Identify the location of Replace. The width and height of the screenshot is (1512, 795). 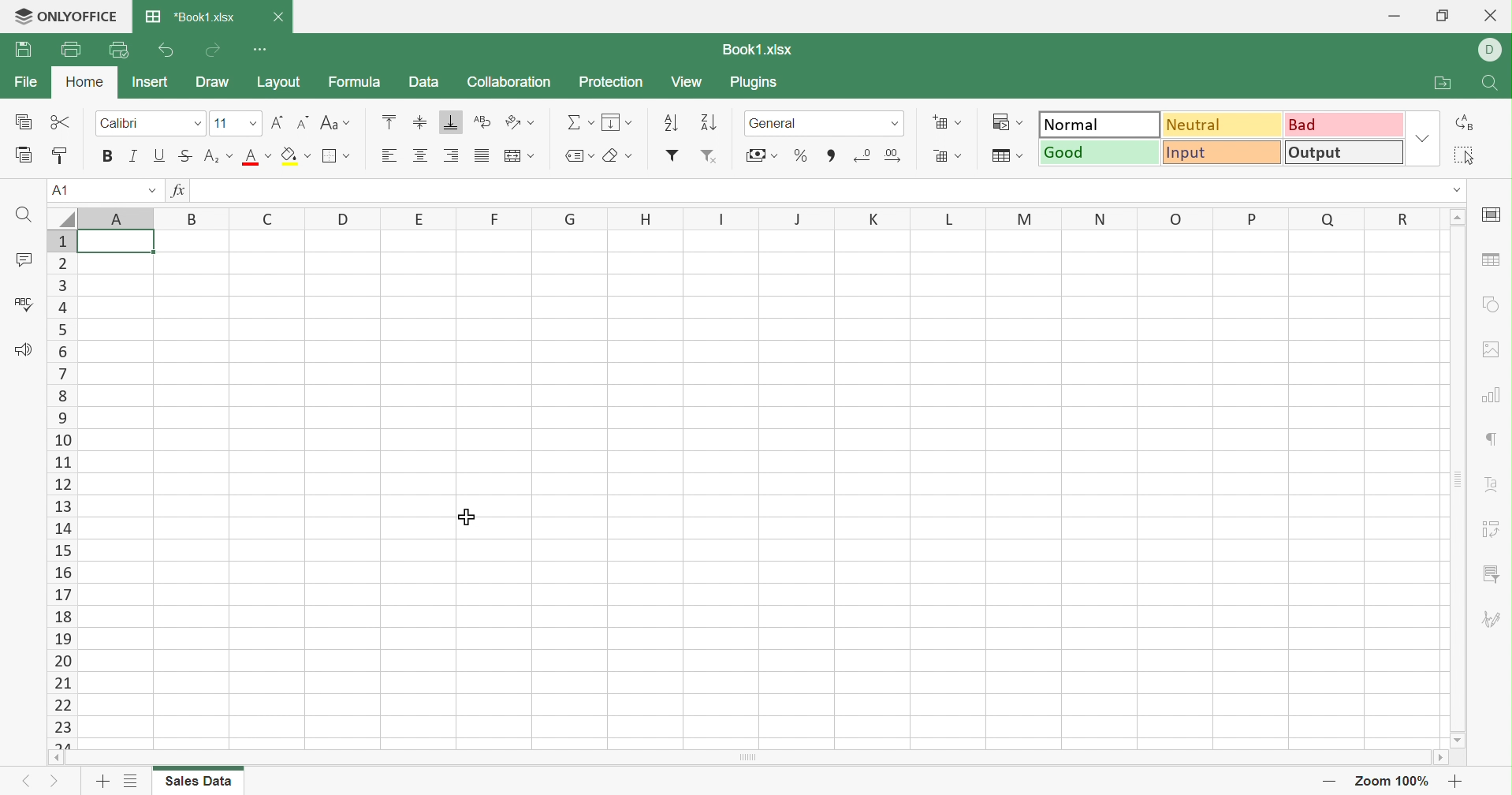
(1468, 125).